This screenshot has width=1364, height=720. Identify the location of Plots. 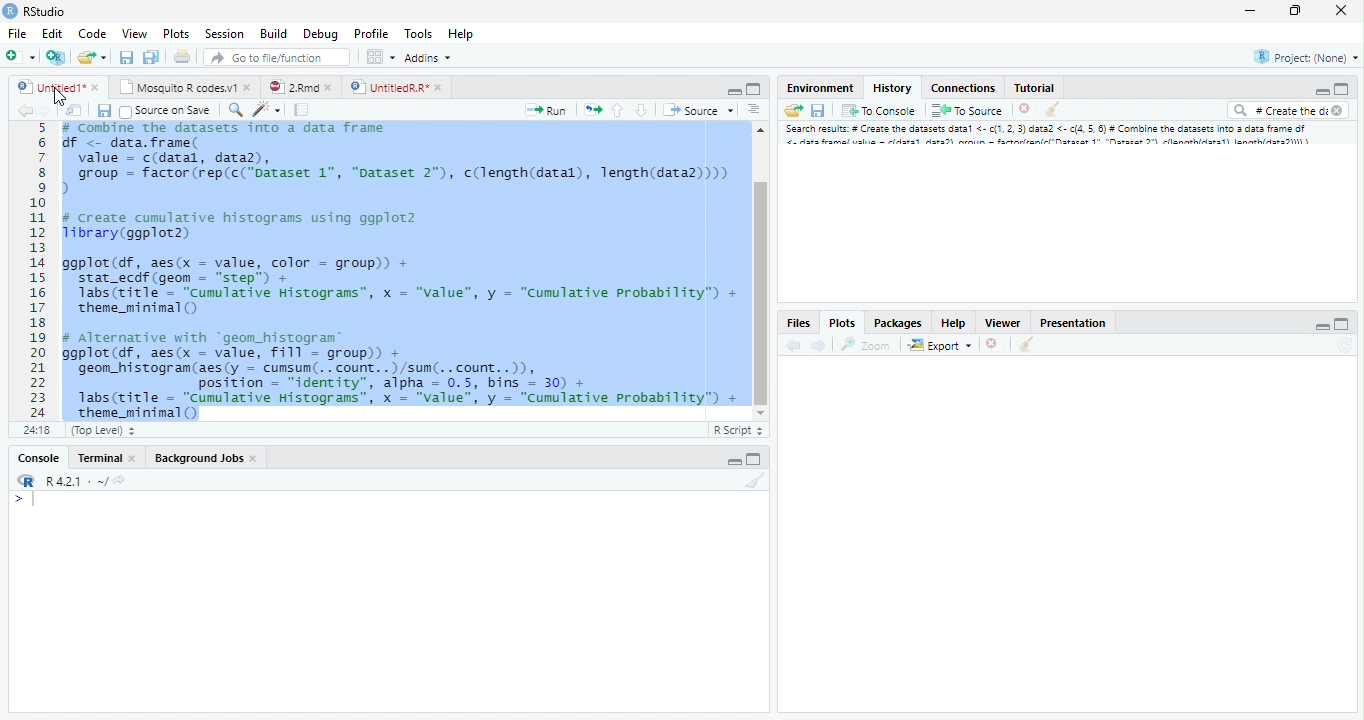
(176, 35).